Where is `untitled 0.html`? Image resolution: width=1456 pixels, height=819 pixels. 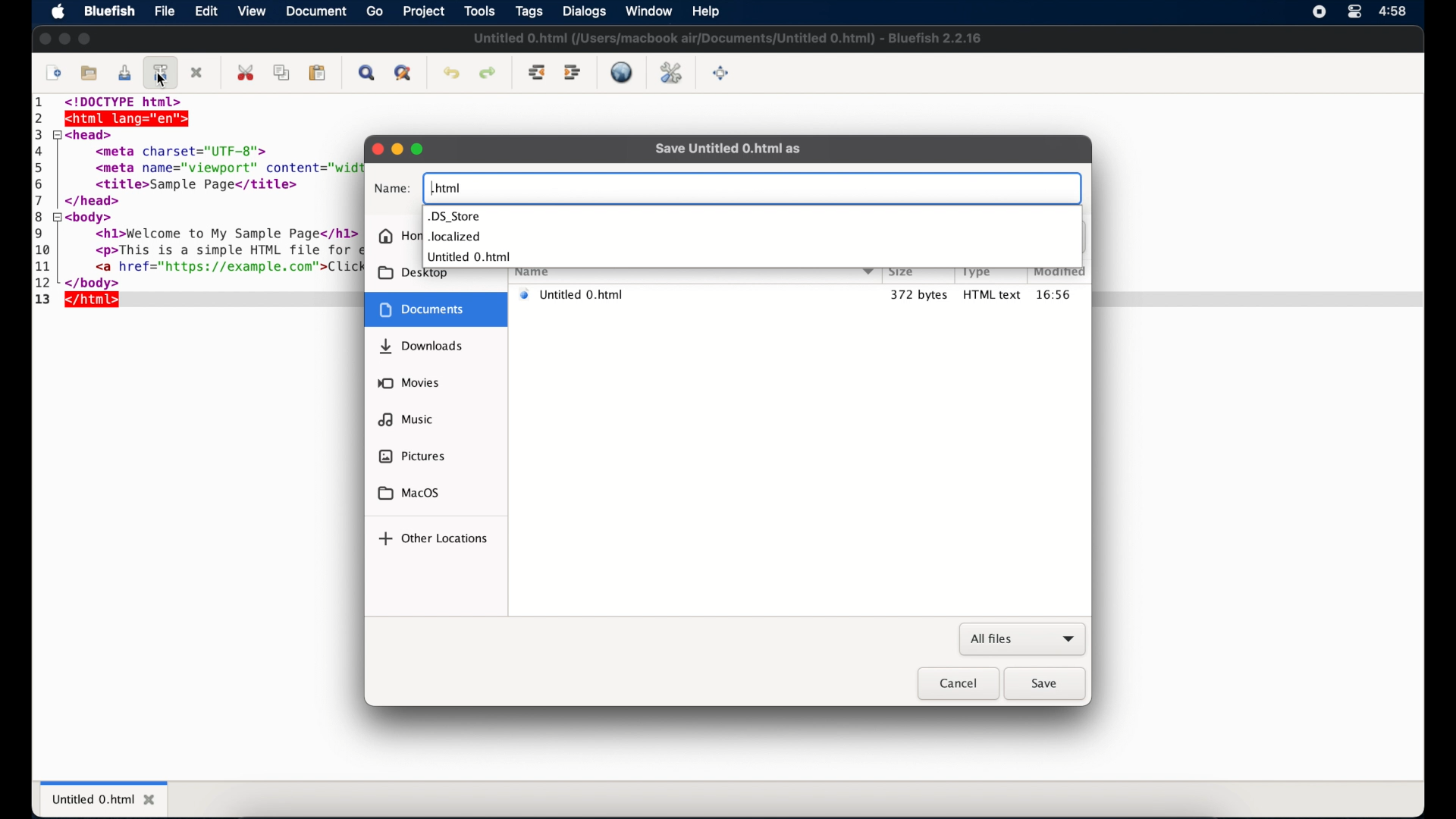 untitled 0.html is located at coordinates (469, 256).